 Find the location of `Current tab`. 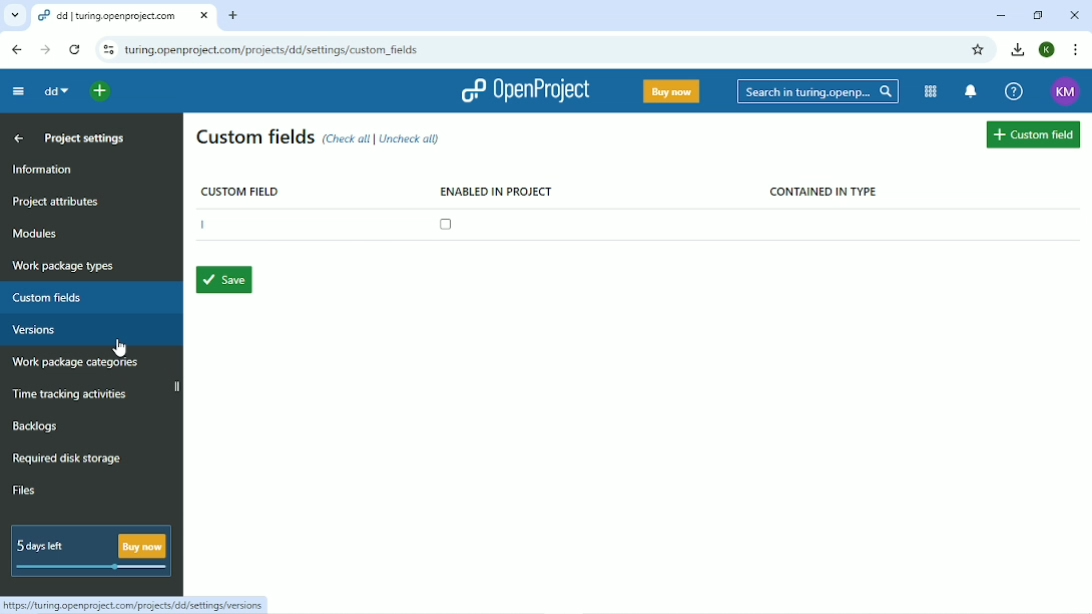

Current tab is located at coordinates (124, 15).